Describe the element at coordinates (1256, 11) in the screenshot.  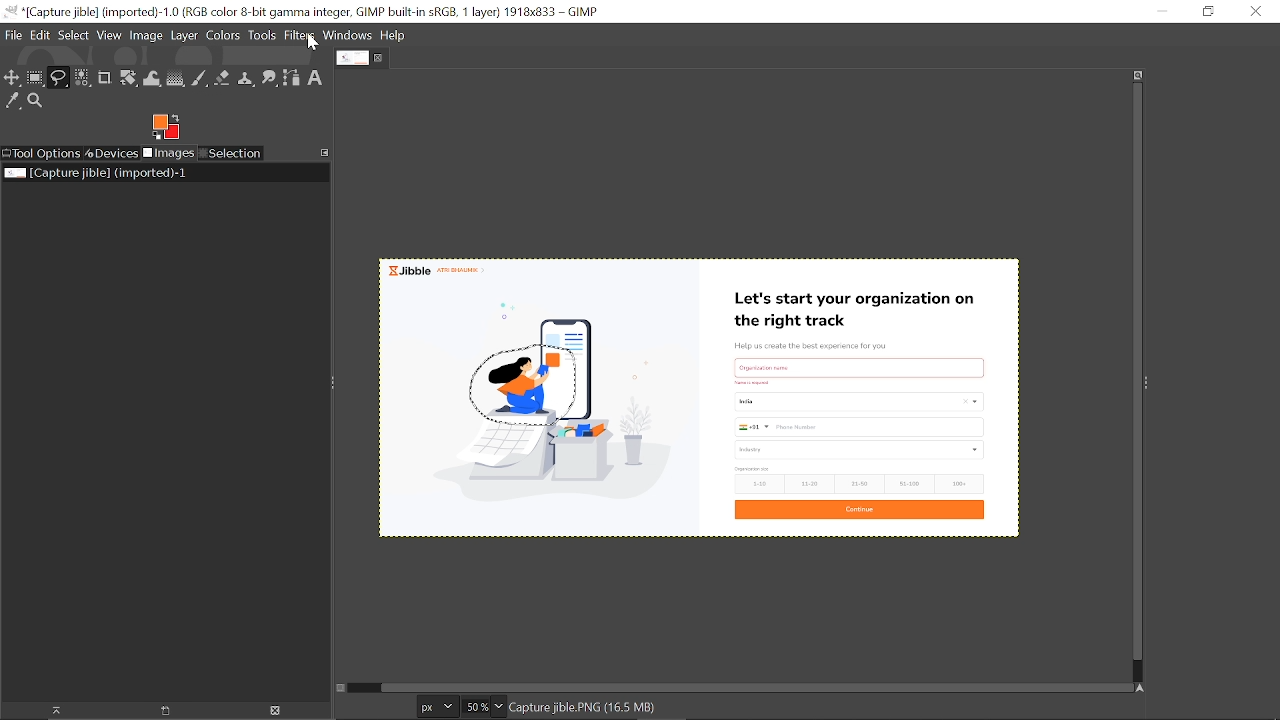
I see `Close` at that location.